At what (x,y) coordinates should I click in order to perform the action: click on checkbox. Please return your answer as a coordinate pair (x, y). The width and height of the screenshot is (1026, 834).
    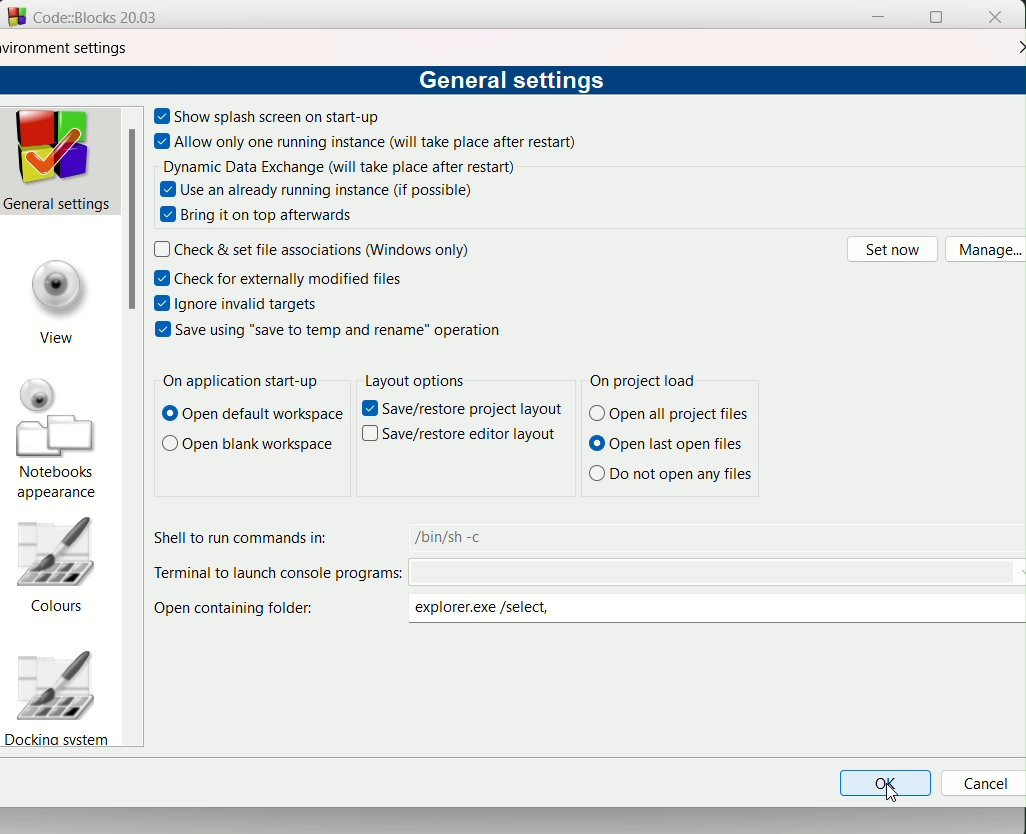
    Looking at the image, I should click on (162, 330).